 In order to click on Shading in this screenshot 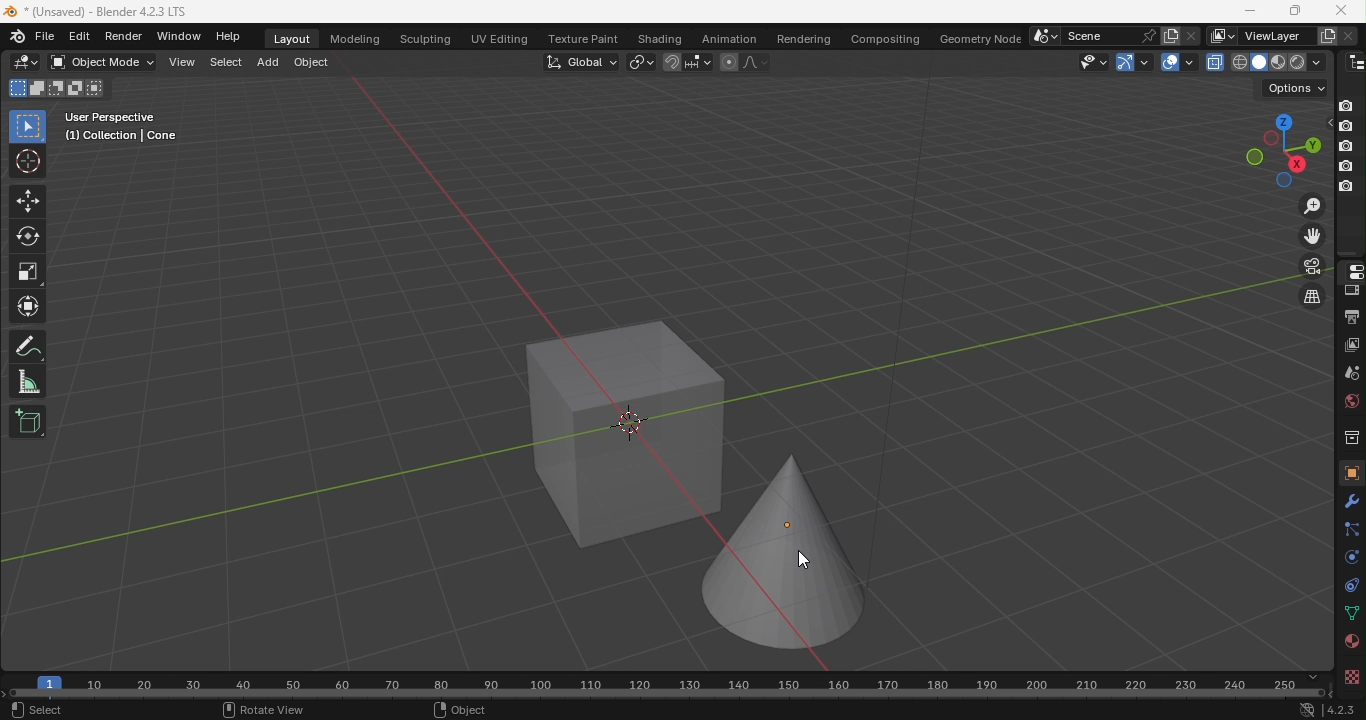, I will do `click(659, 38)`.